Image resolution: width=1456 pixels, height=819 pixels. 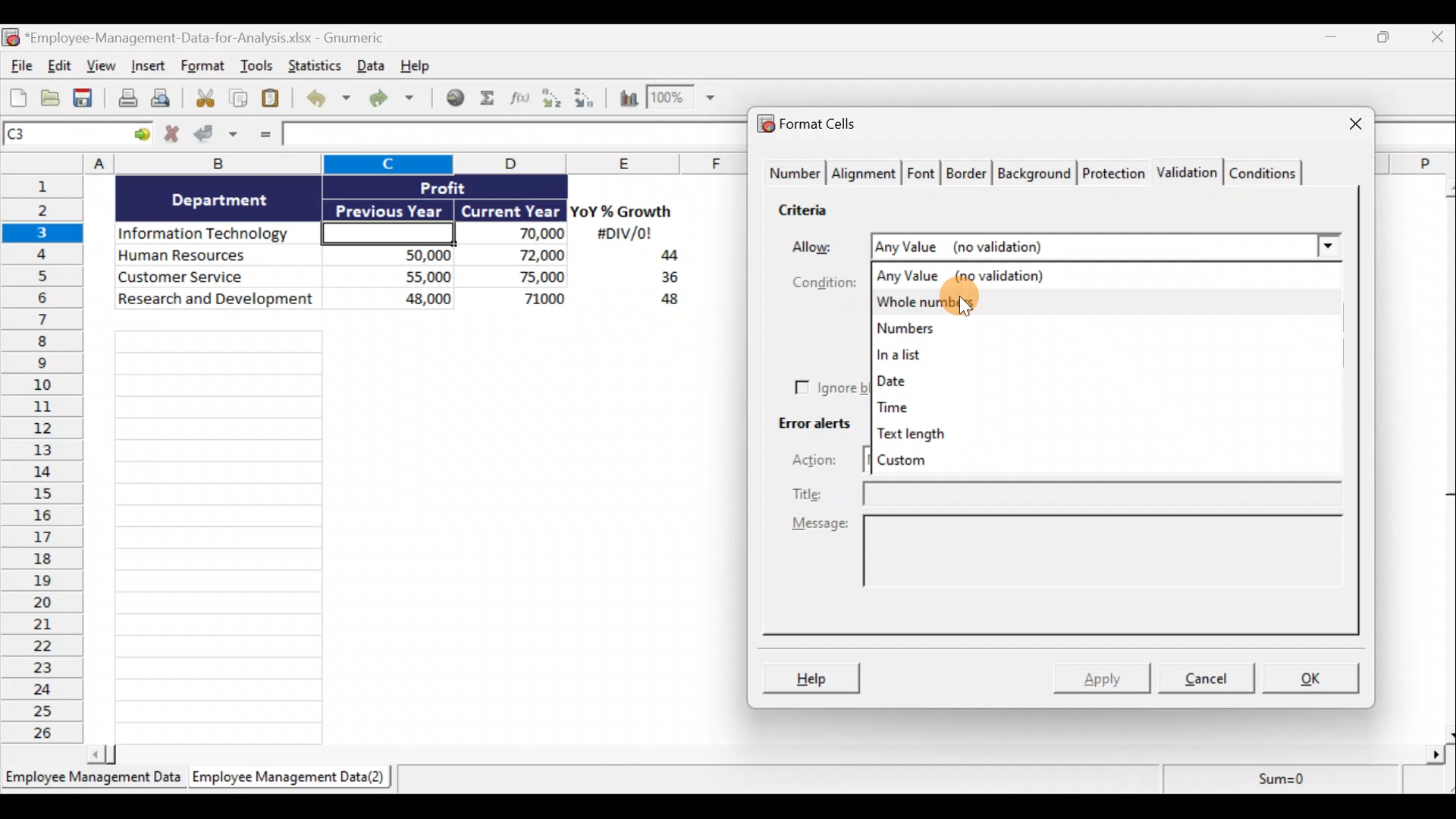 I want to click on Font, so click(x=922, y=171).